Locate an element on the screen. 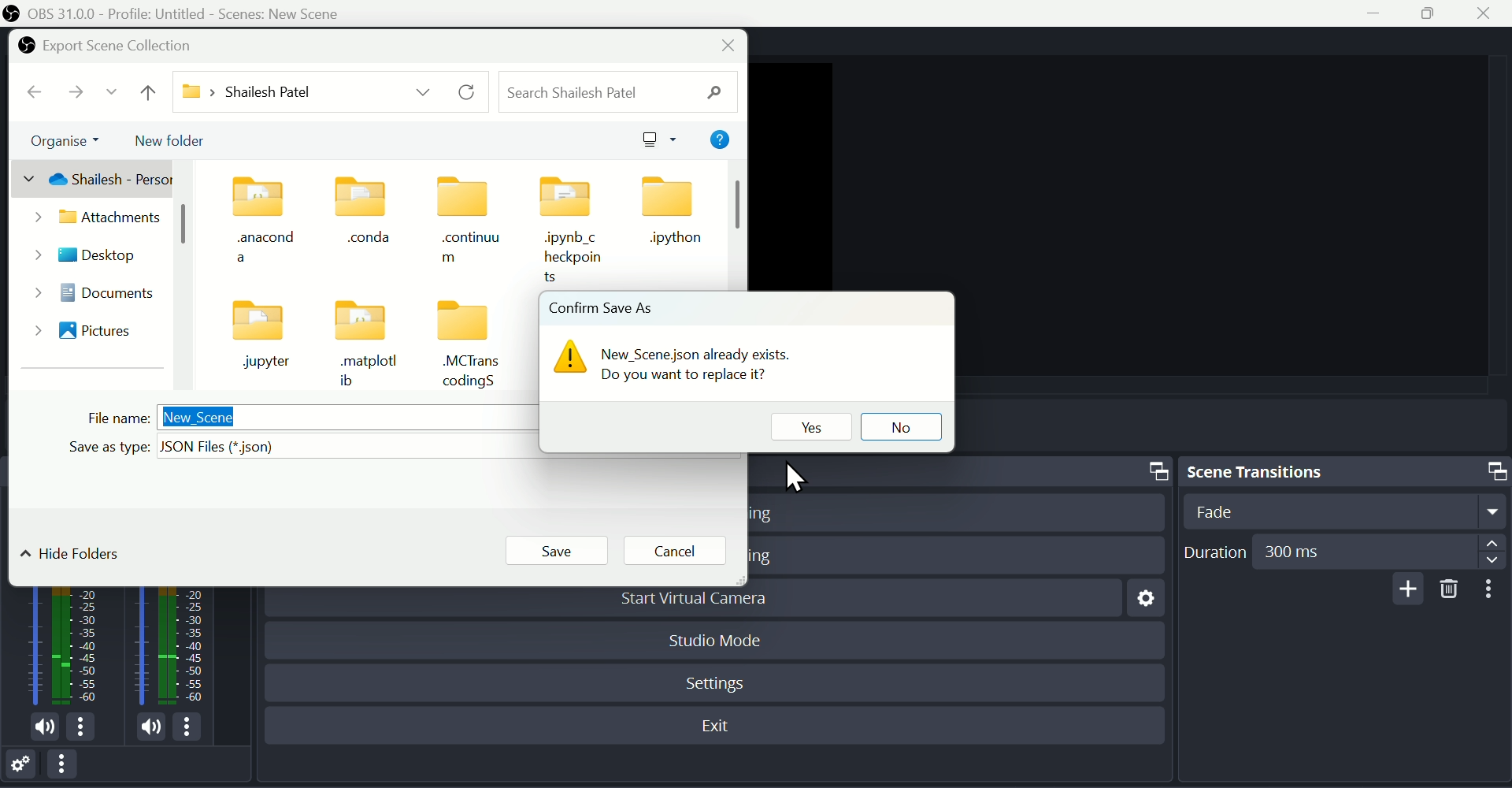  minimise is located at coordinates (1379, 15).